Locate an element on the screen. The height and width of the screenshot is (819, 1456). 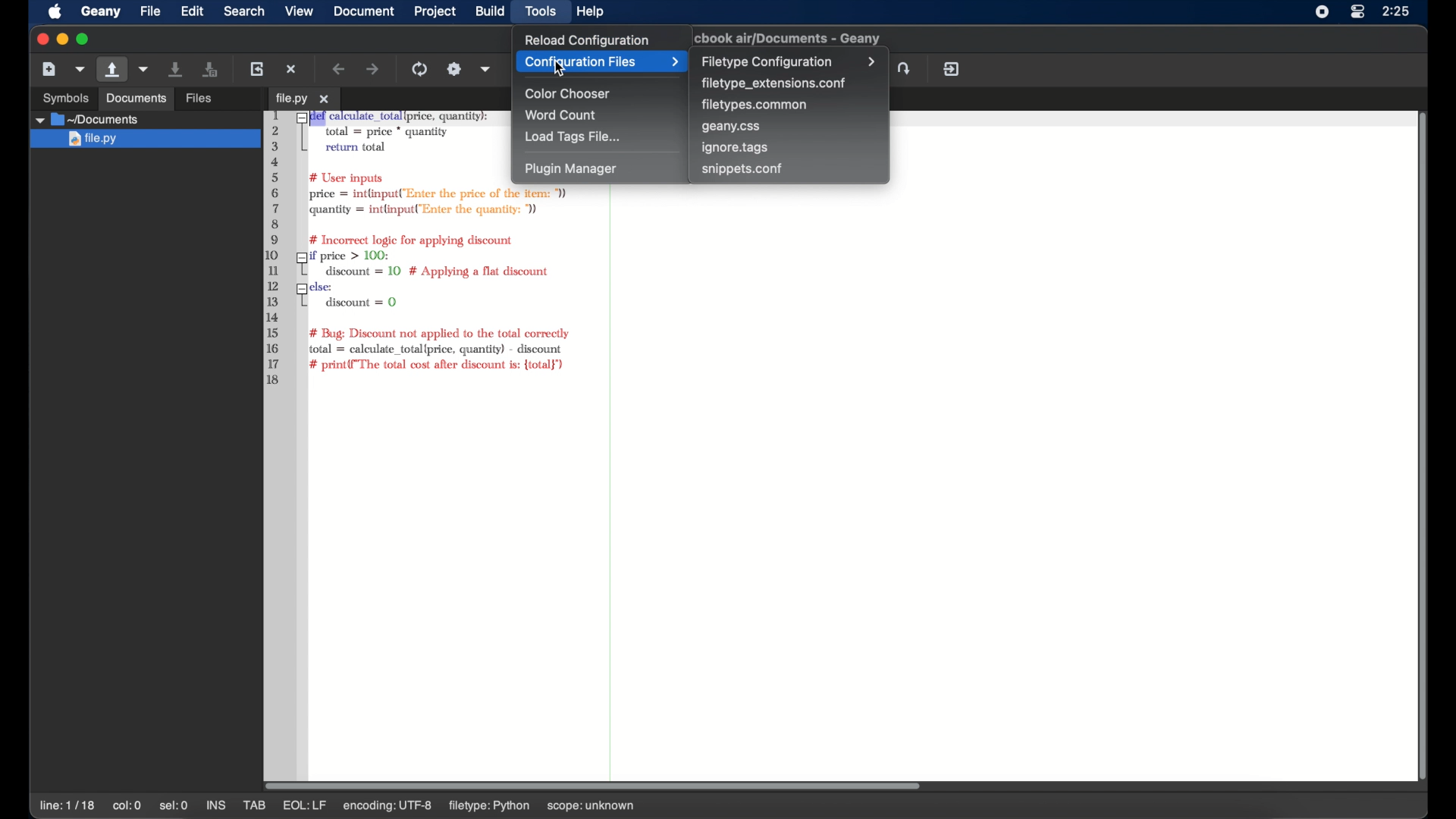
build the current file is located at coordinates (454, 69).